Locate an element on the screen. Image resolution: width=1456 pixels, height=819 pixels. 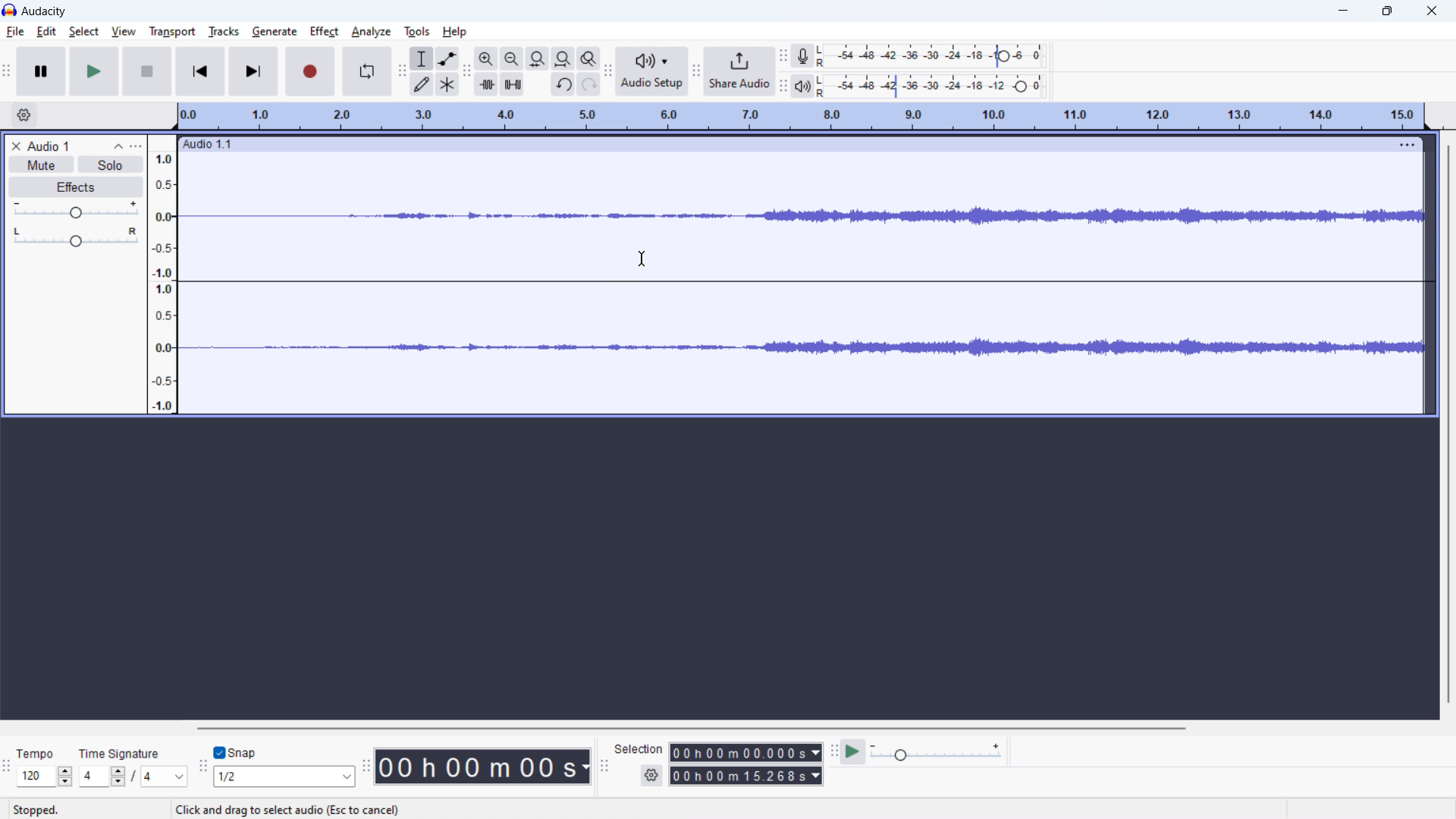
time toolbar is located at coordinates (369, 773).